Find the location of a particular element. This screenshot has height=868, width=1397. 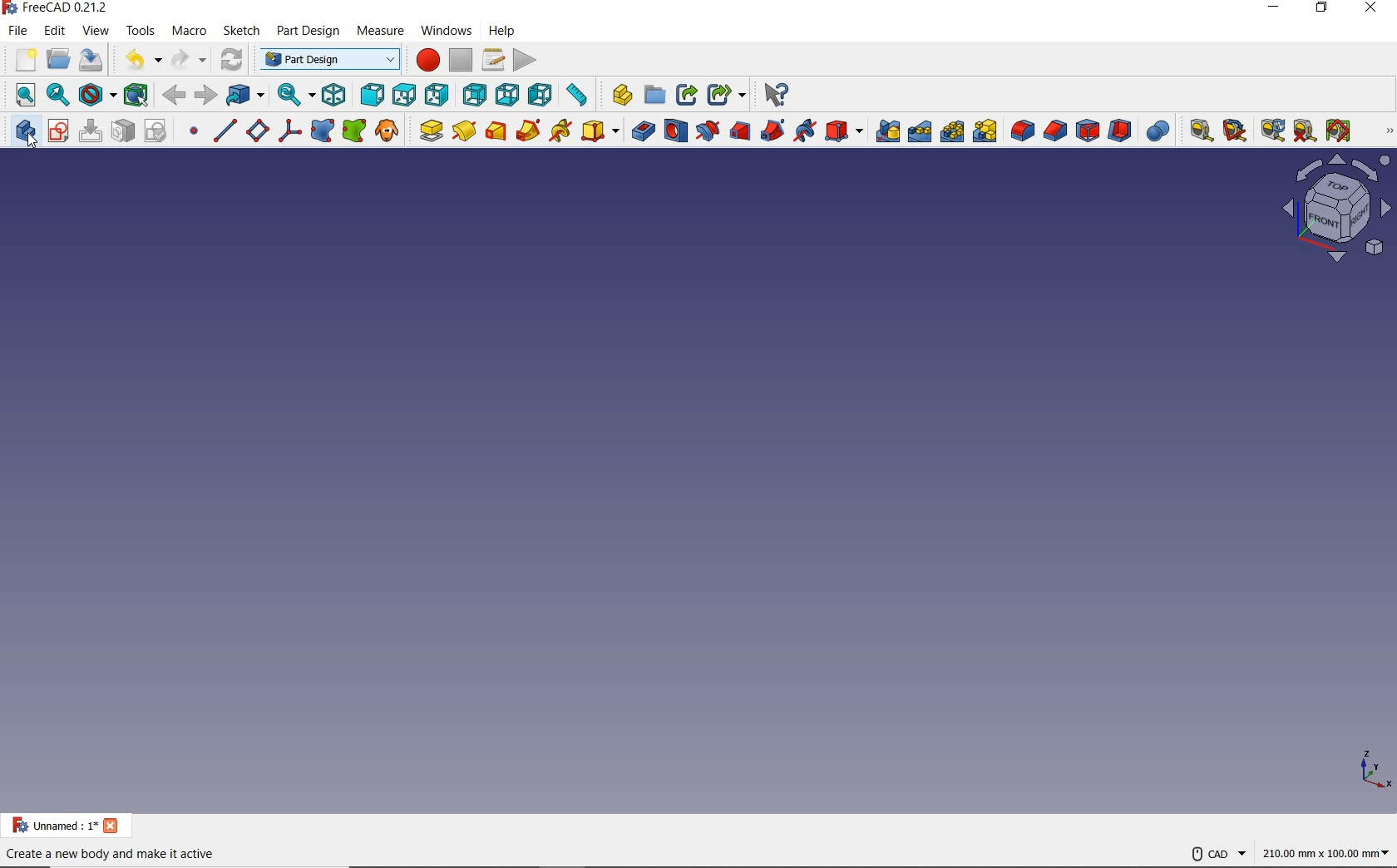

save is located at coordinates (91, 61).